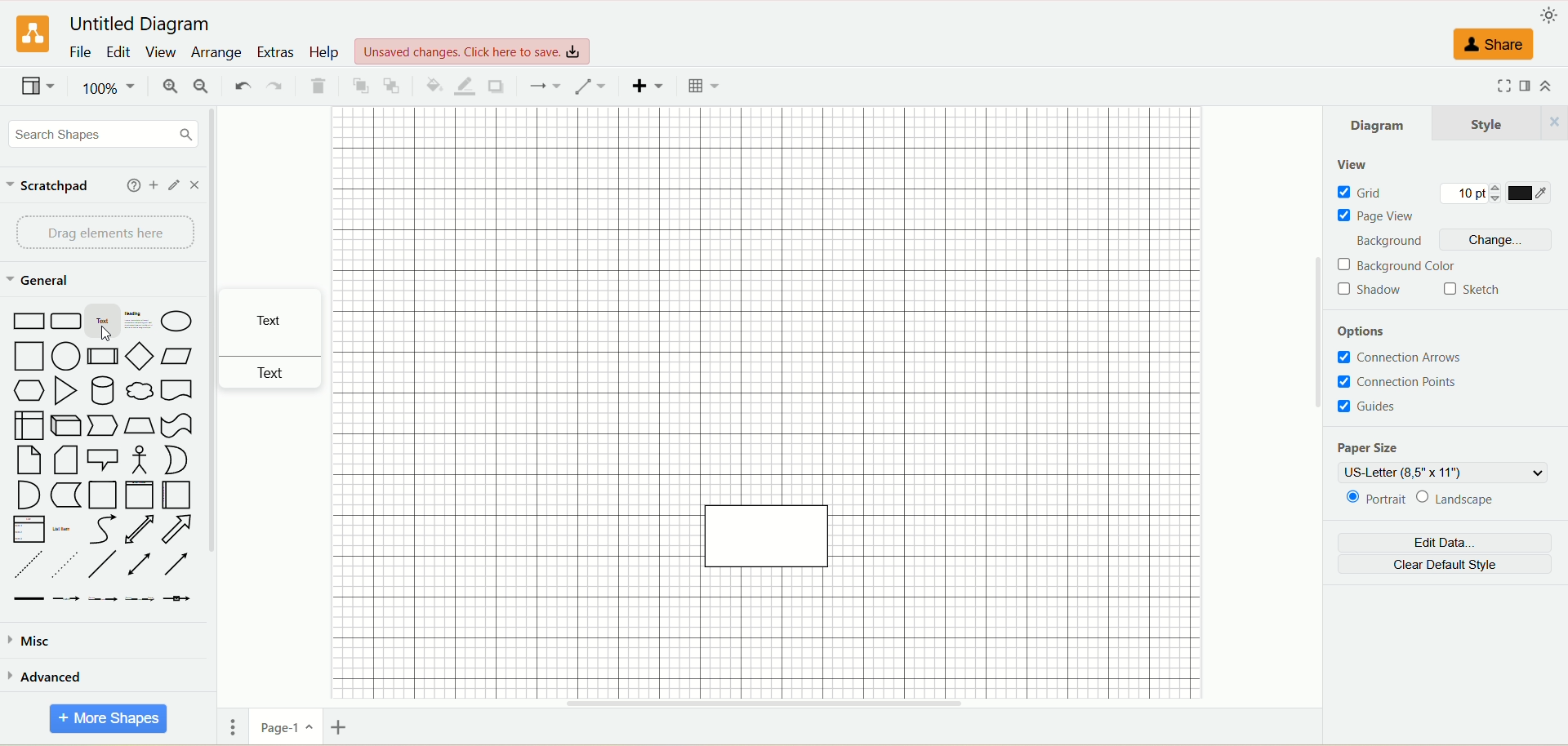 This screenshot has height=746, width=1568. What do you see at coordinates (178, 459) in the screenshot?
I see `or` at bounding box center [178, 459].